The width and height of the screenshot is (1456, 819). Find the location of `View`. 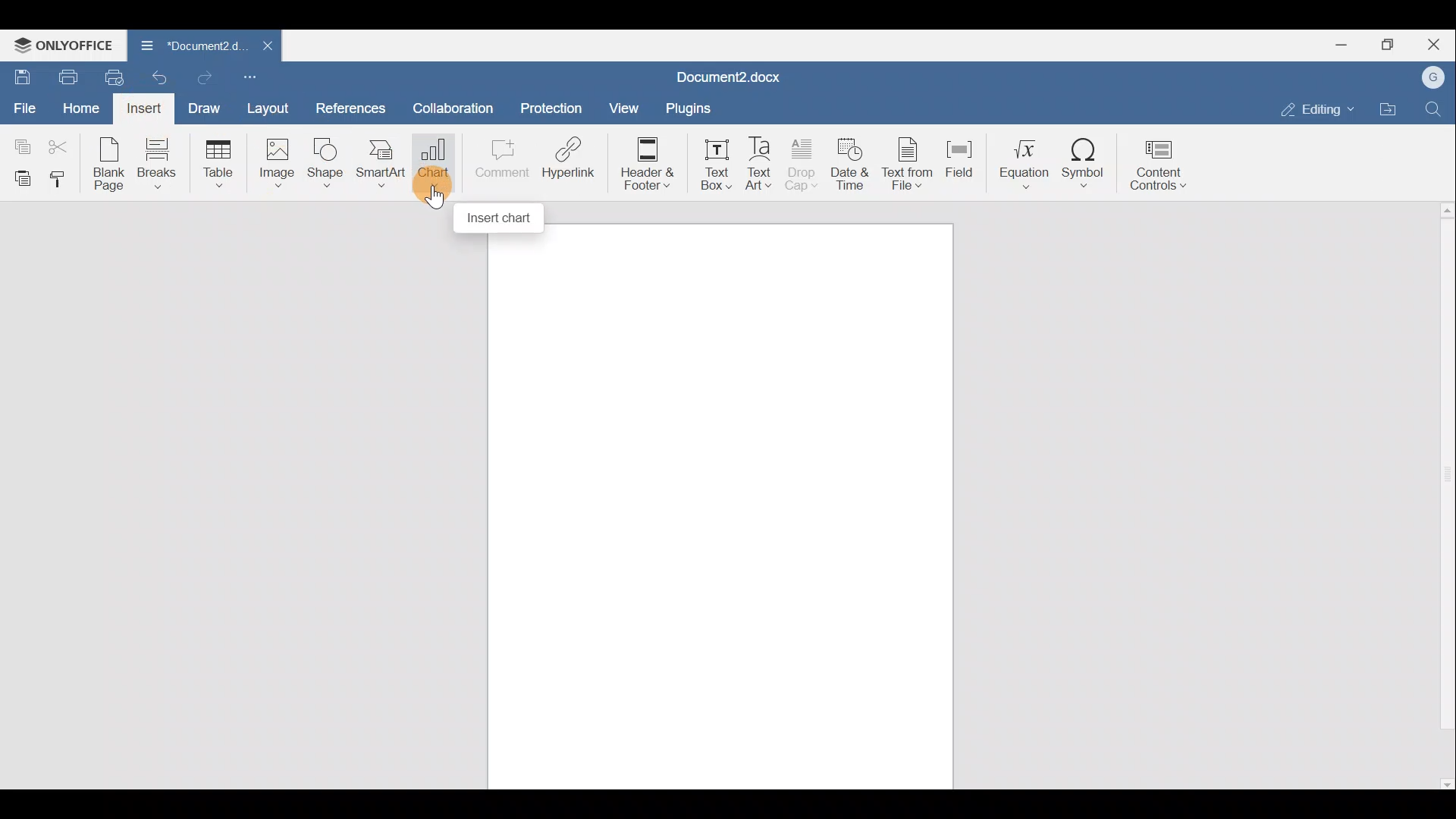

View is located at coordinates (625, 107).